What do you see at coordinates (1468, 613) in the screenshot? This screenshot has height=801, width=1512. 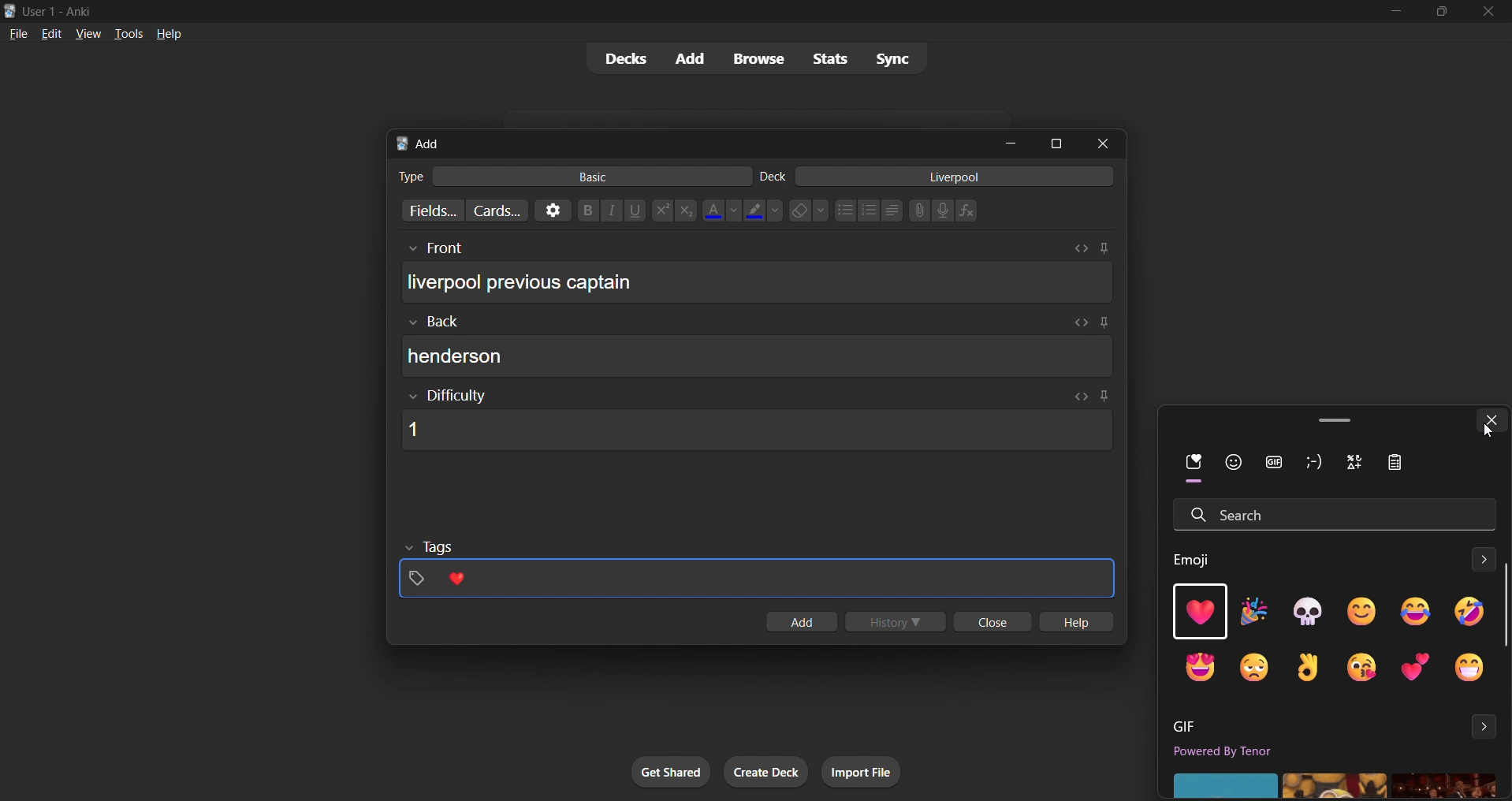 I see `emoji` at bounding box center [1468, 613].